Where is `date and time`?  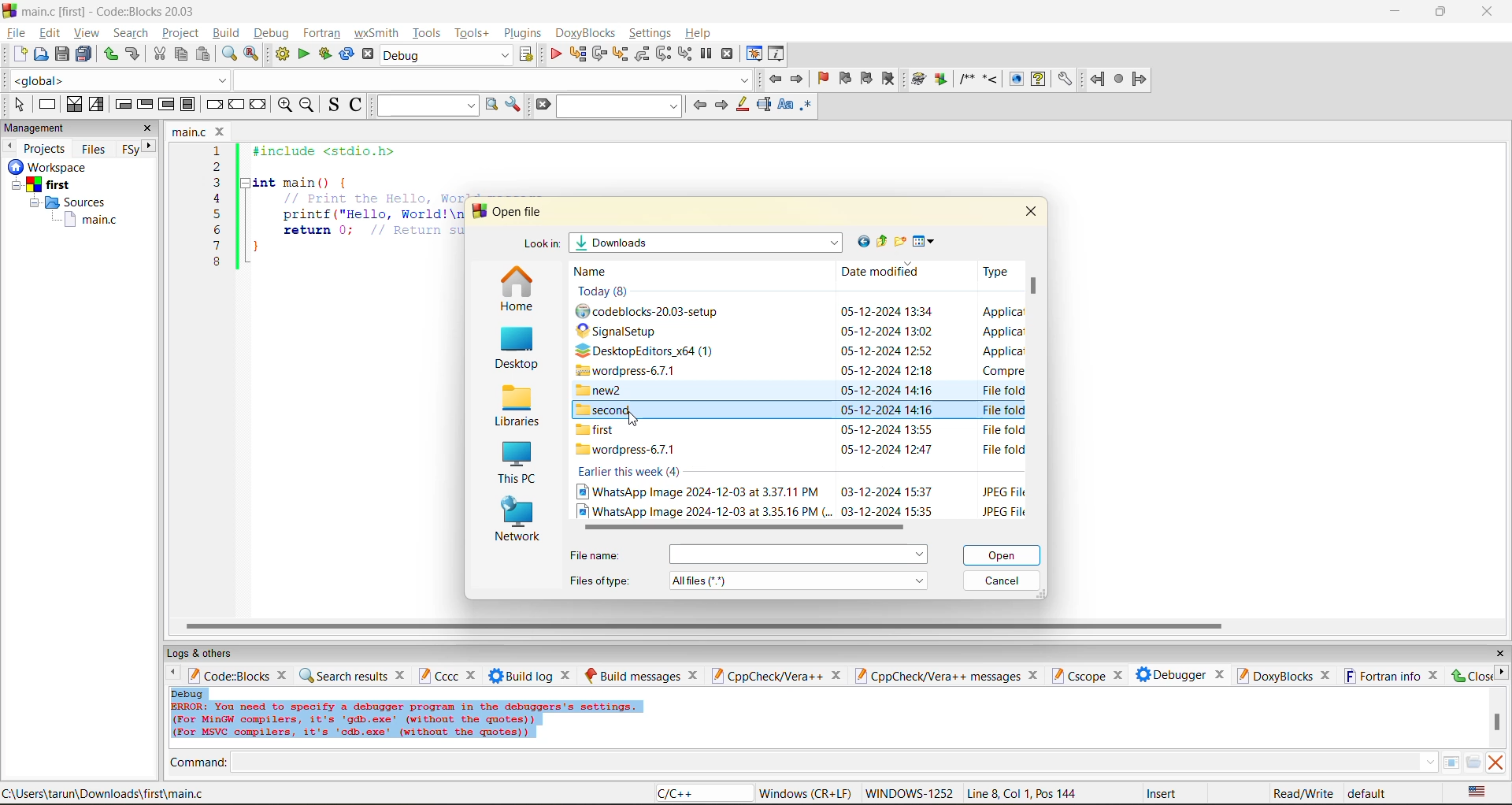
date and time is located at coordinates (887, 391).